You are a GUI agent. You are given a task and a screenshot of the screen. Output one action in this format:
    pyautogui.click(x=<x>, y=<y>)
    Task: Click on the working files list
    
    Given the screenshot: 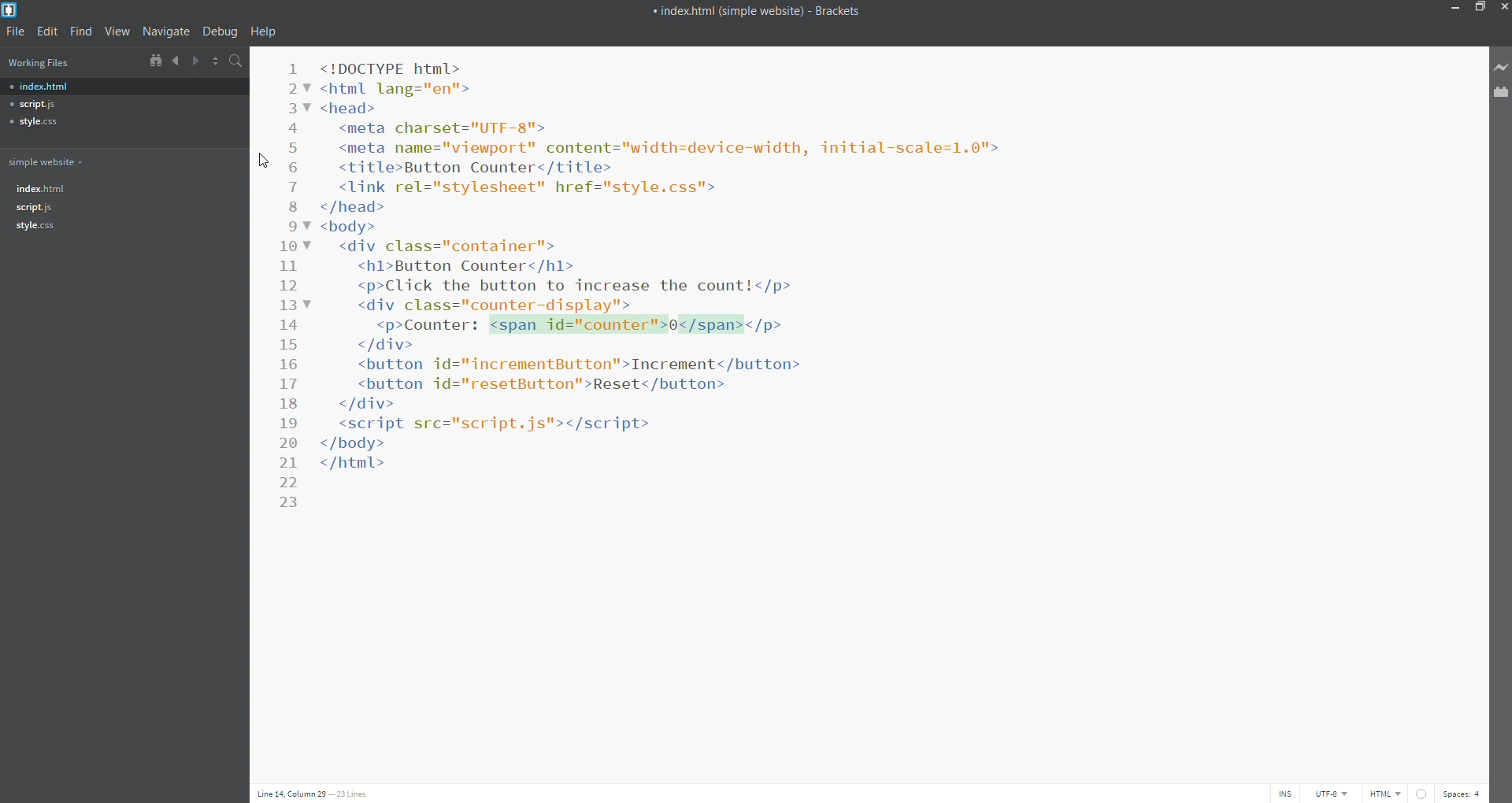 What is the action you would take?
    pyautogui.click(x=68, y=62)
    